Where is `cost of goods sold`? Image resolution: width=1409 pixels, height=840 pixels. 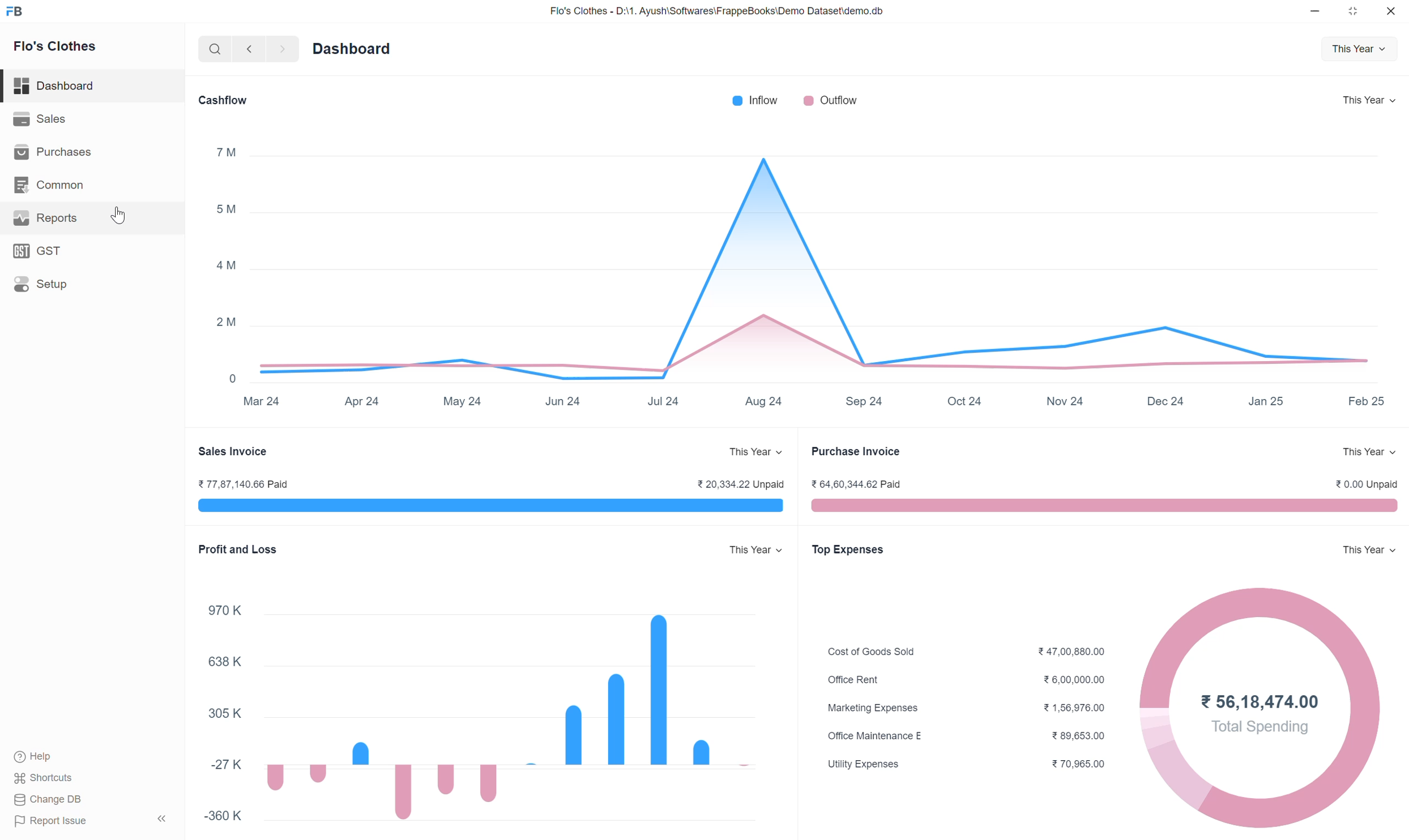 cost of goods sold is located at coordinates (868, 650).